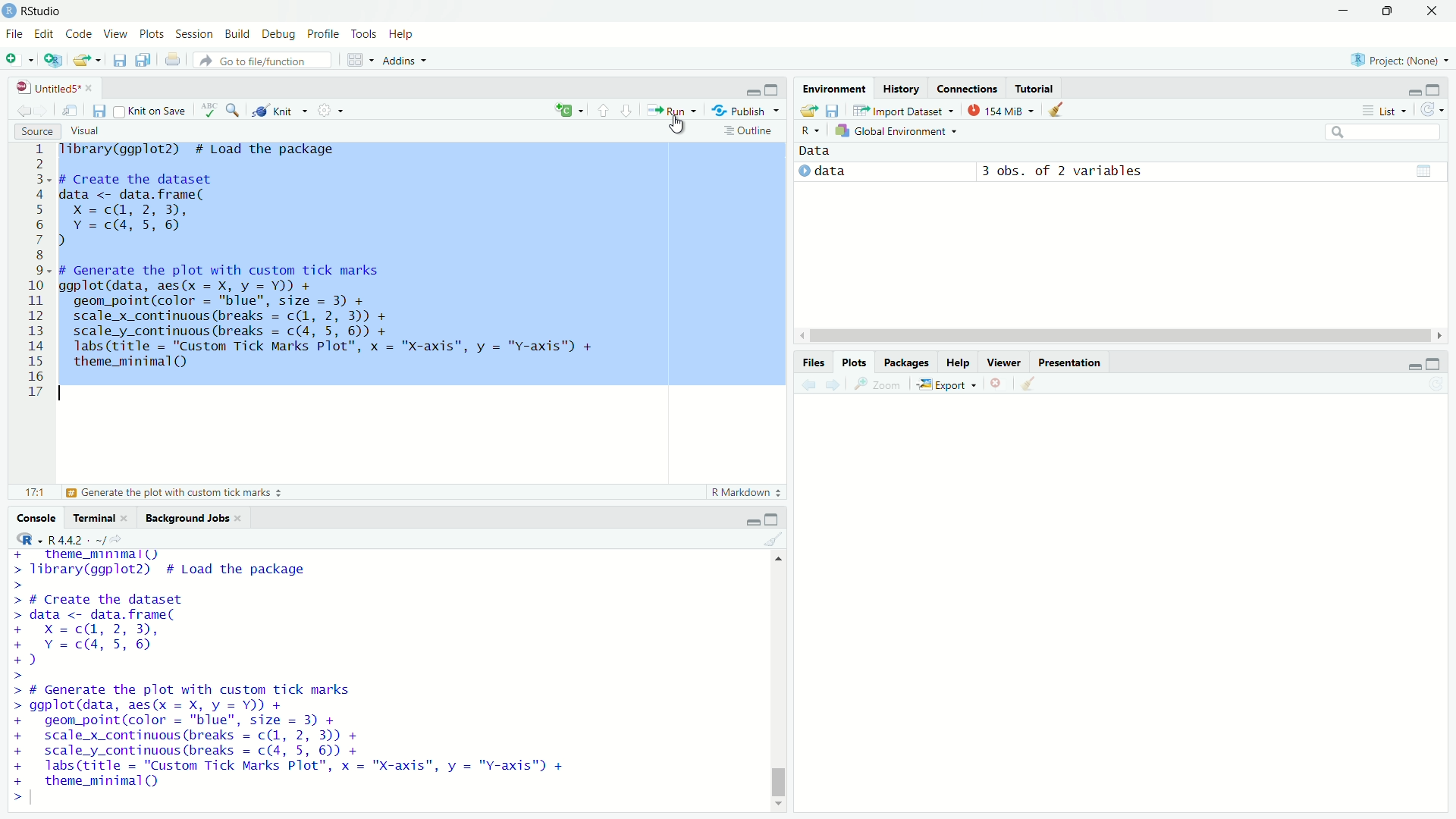 The image size is (1456, 819). What do you see at coordinates (88, 131) in the screenshot?
I see `visual` at bounding box center [88, 131].